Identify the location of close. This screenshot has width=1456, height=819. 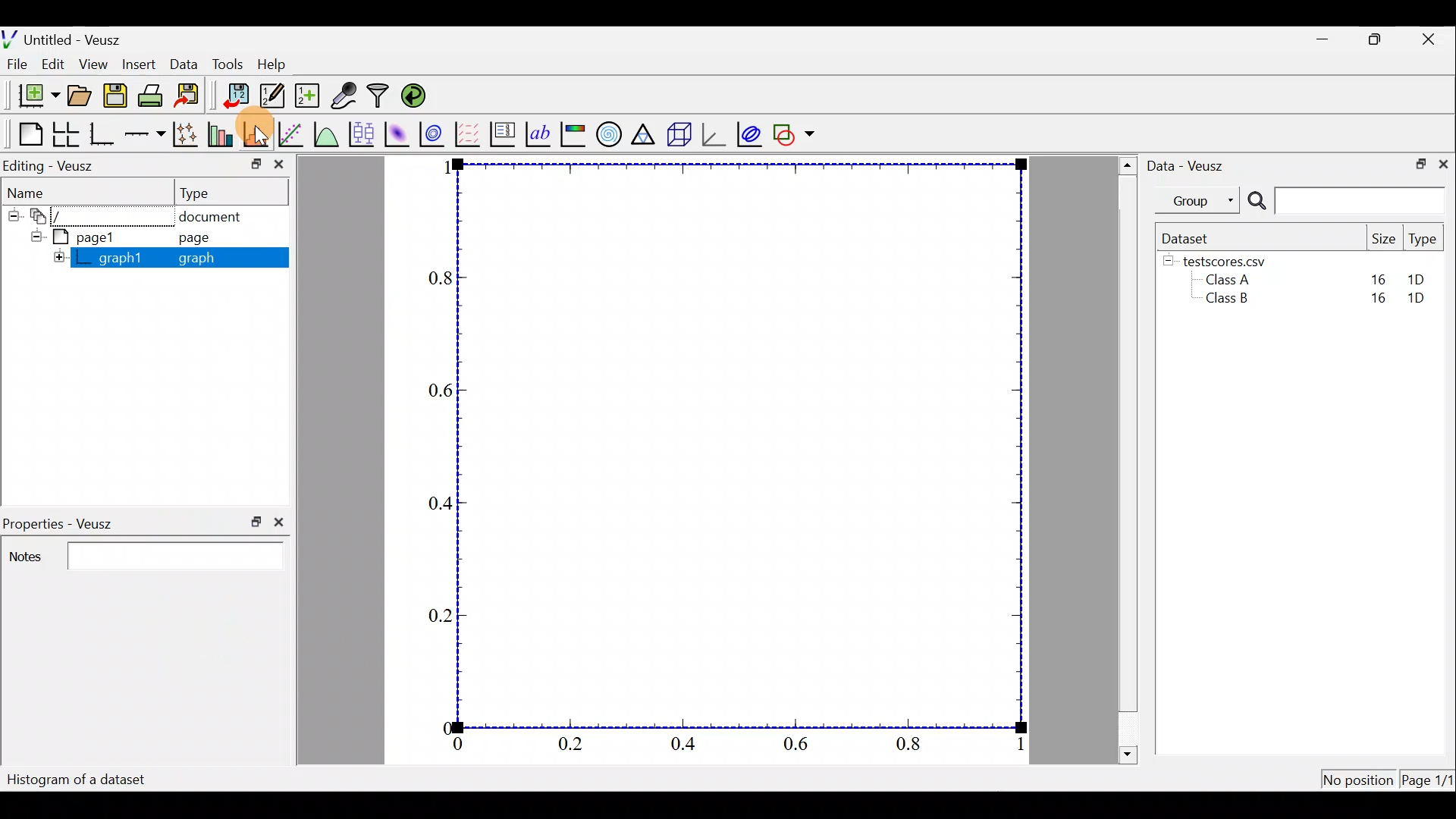
(278, 165).